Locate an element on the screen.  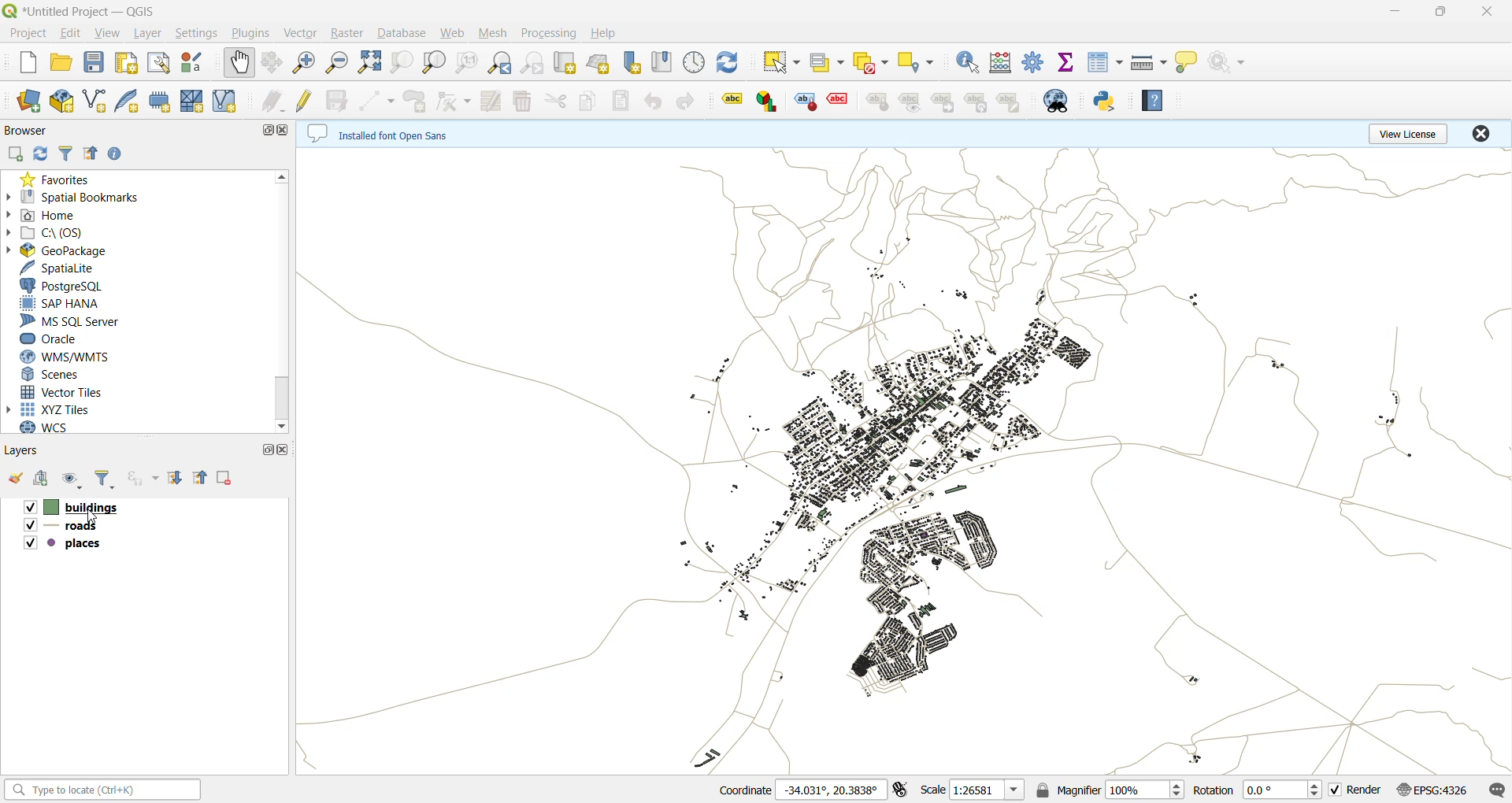
remove is located at coordinates (225, 479).